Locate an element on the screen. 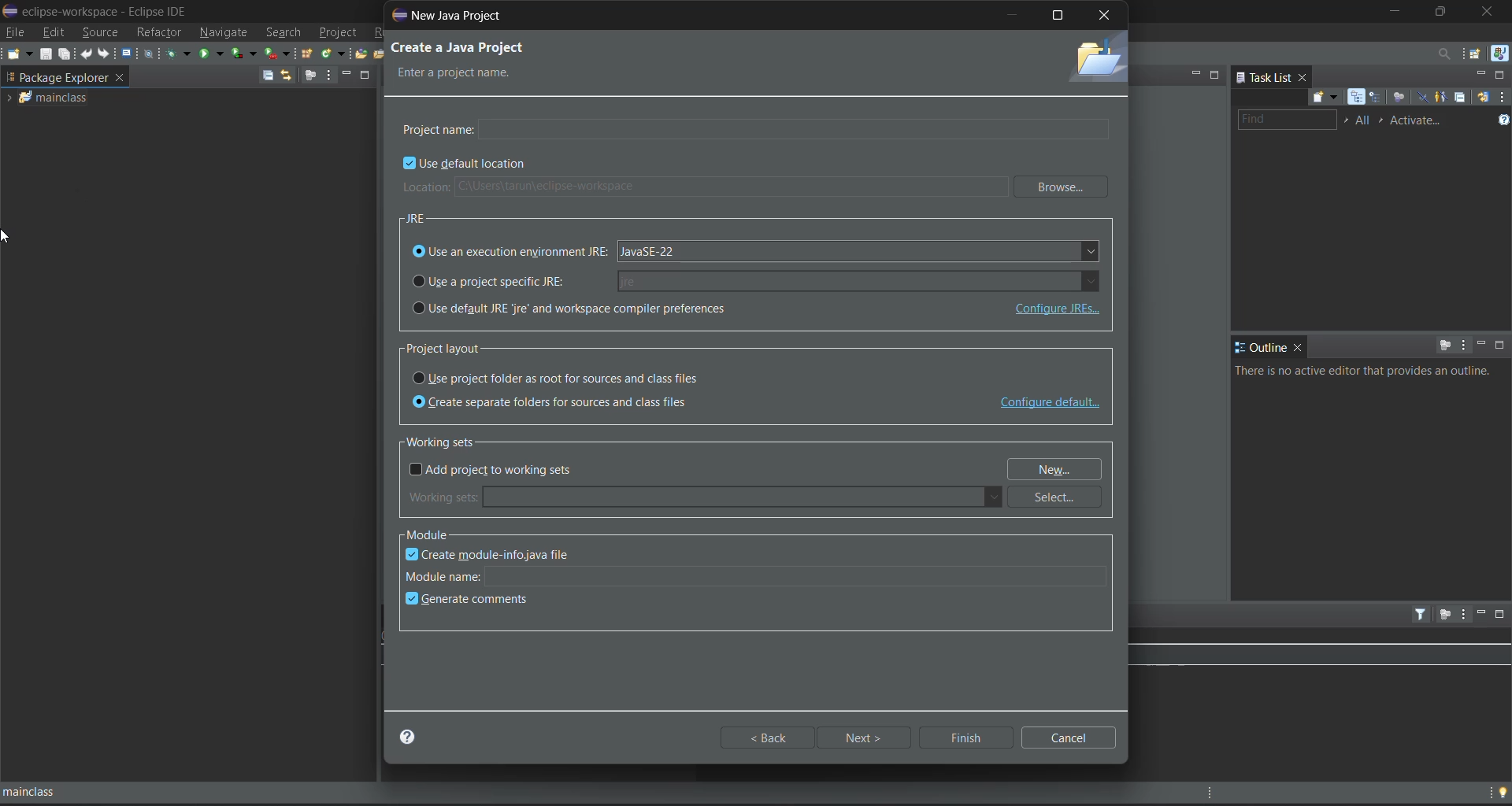  use default location is located at coordinates (467, 165).